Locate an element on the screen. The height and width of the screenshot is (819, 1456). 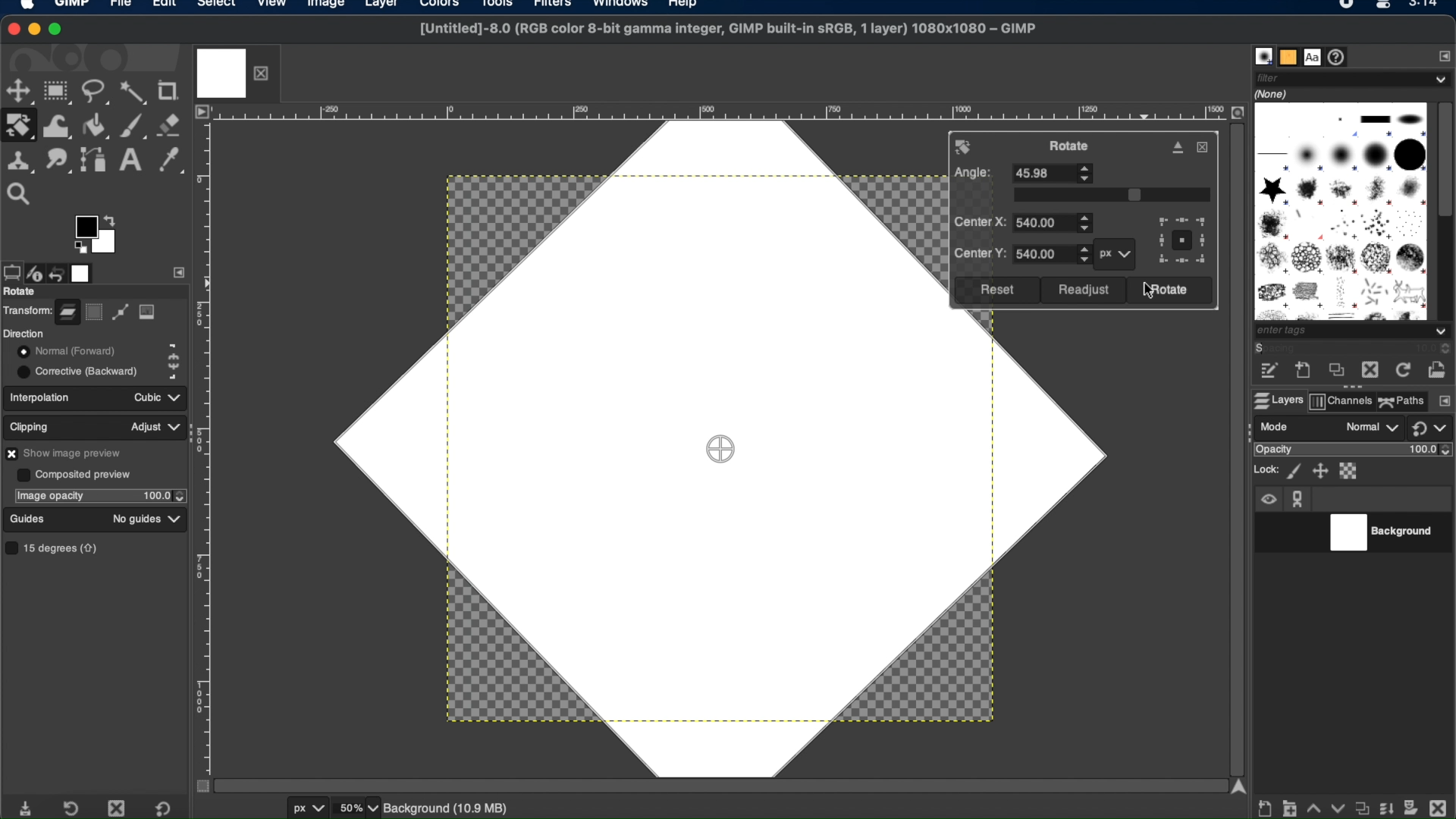
scroll box is located at coordinates (1446, 162).